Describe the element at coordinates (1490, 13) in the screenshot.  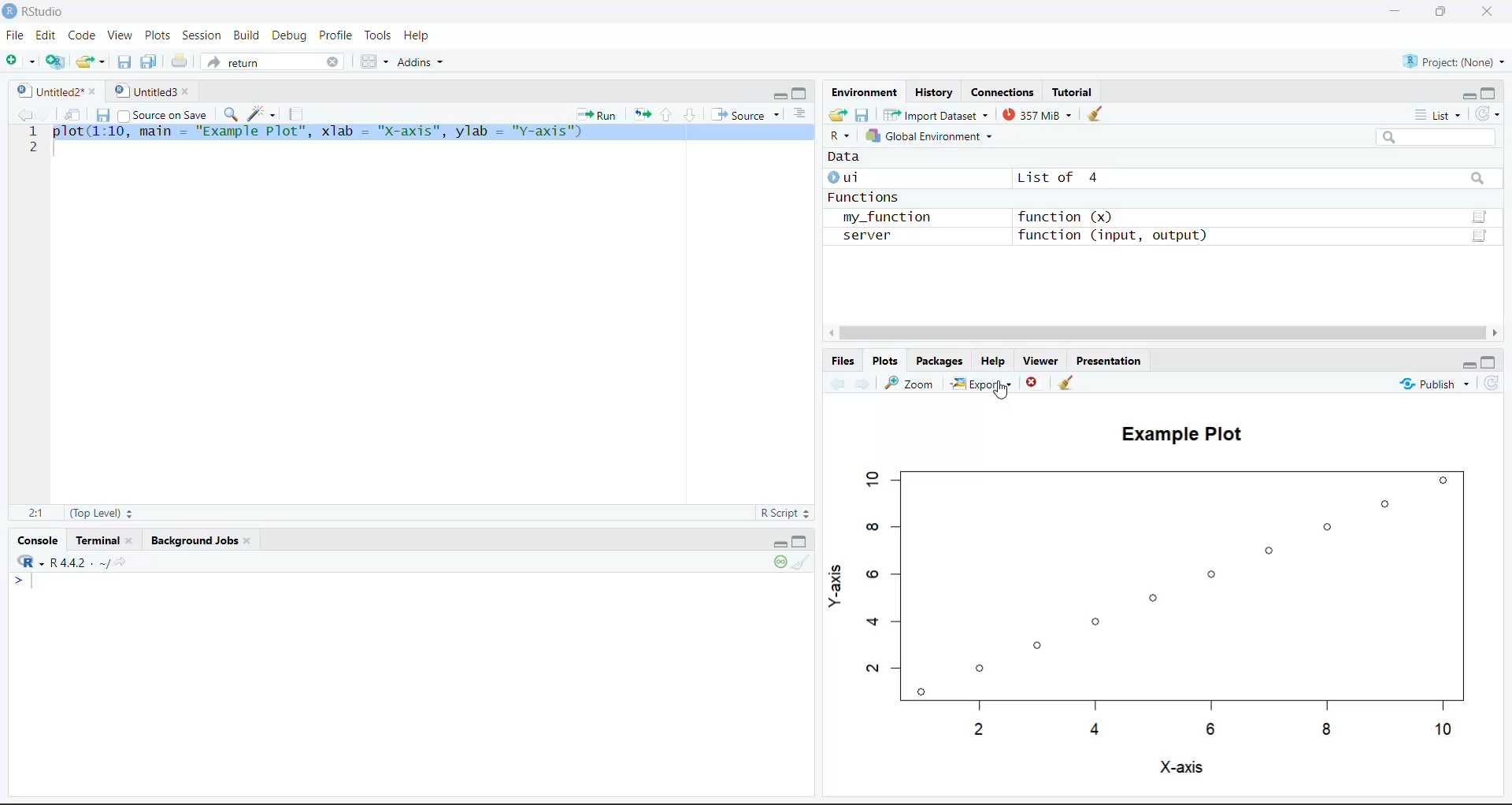
I see `Close` at that location.